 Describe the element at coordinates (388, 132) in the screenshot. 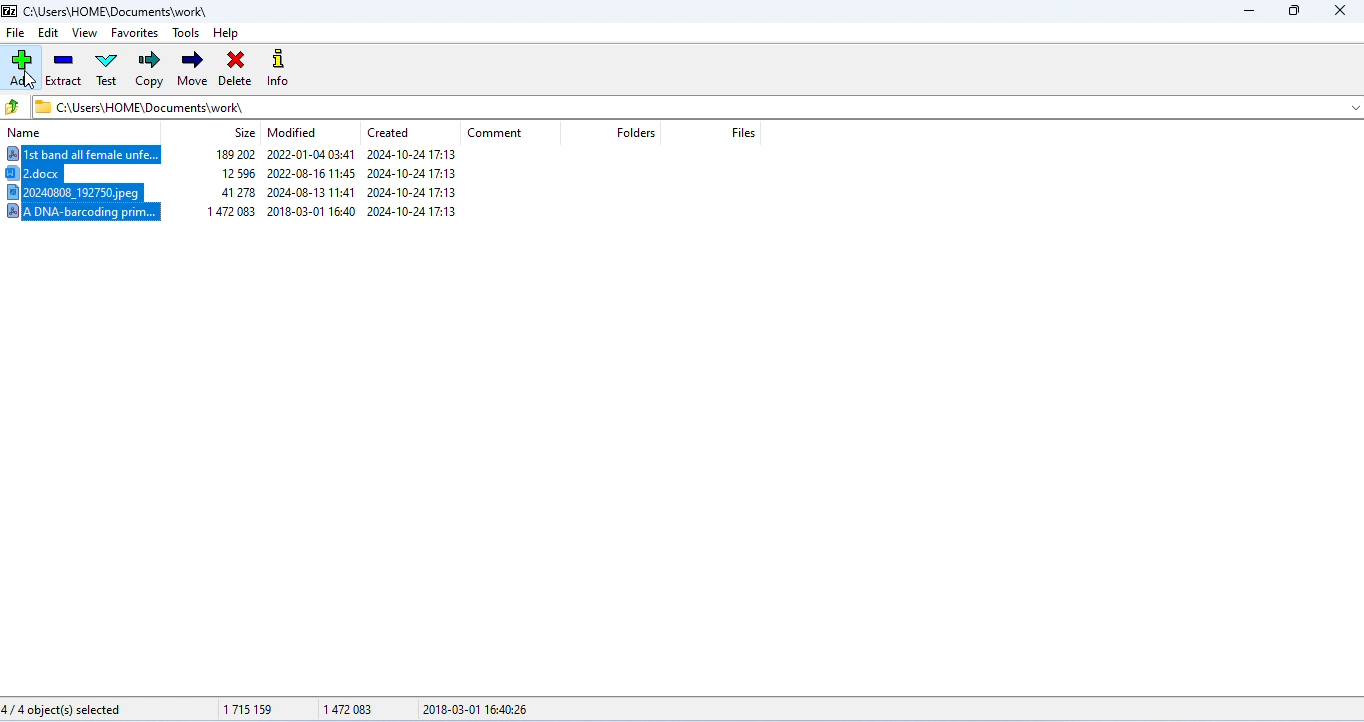

I see `created` at that location.